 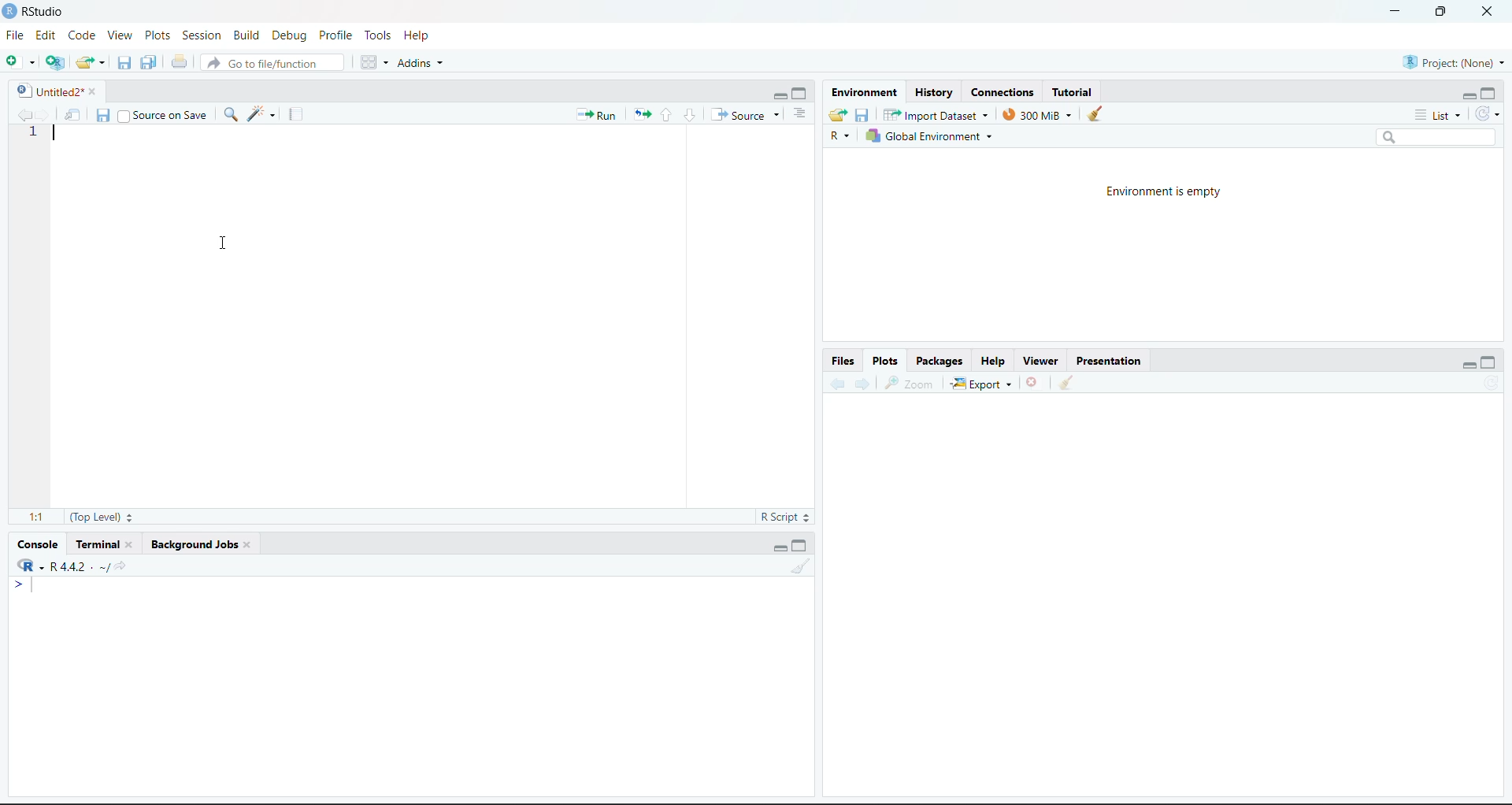 What do you see at coordinates (246, 35) in the screenshot?
I see `Build` at bounding box center [246, 35].